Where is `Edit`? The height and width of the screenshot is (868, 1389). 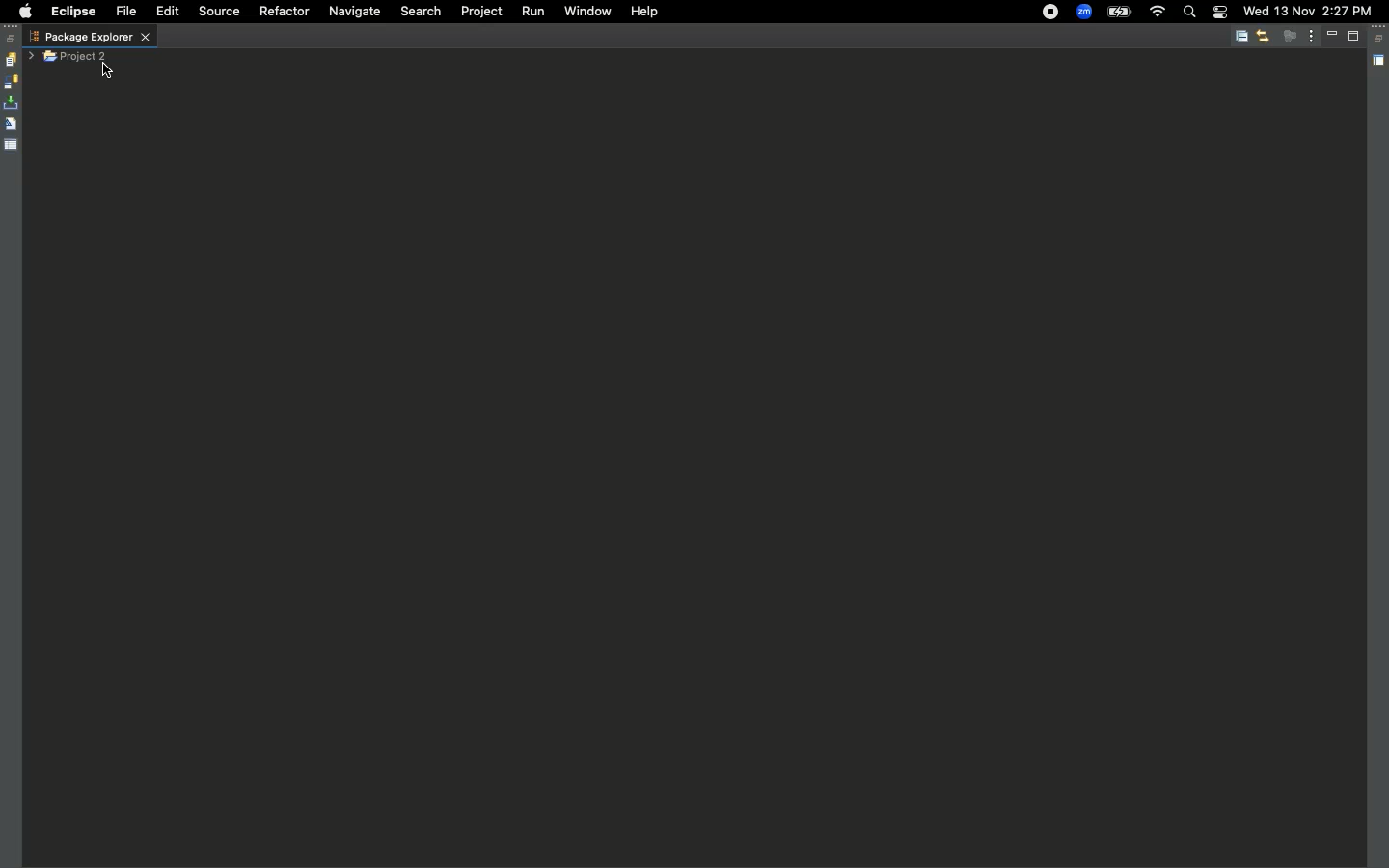 Edit is located at coordinates (164, 12).